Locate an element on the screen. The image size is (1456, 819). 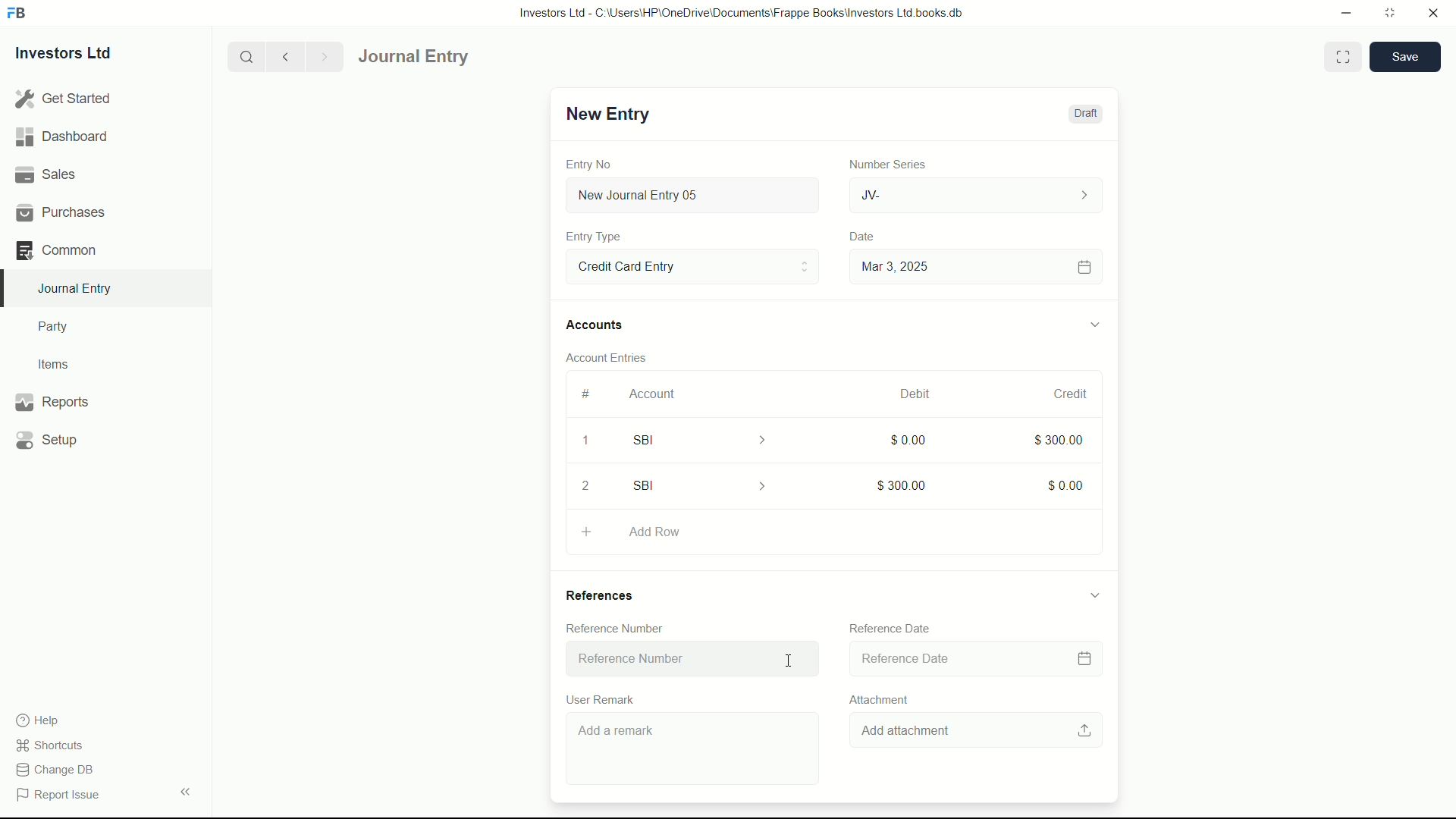
Entry No is located at coordinates (591, 162).